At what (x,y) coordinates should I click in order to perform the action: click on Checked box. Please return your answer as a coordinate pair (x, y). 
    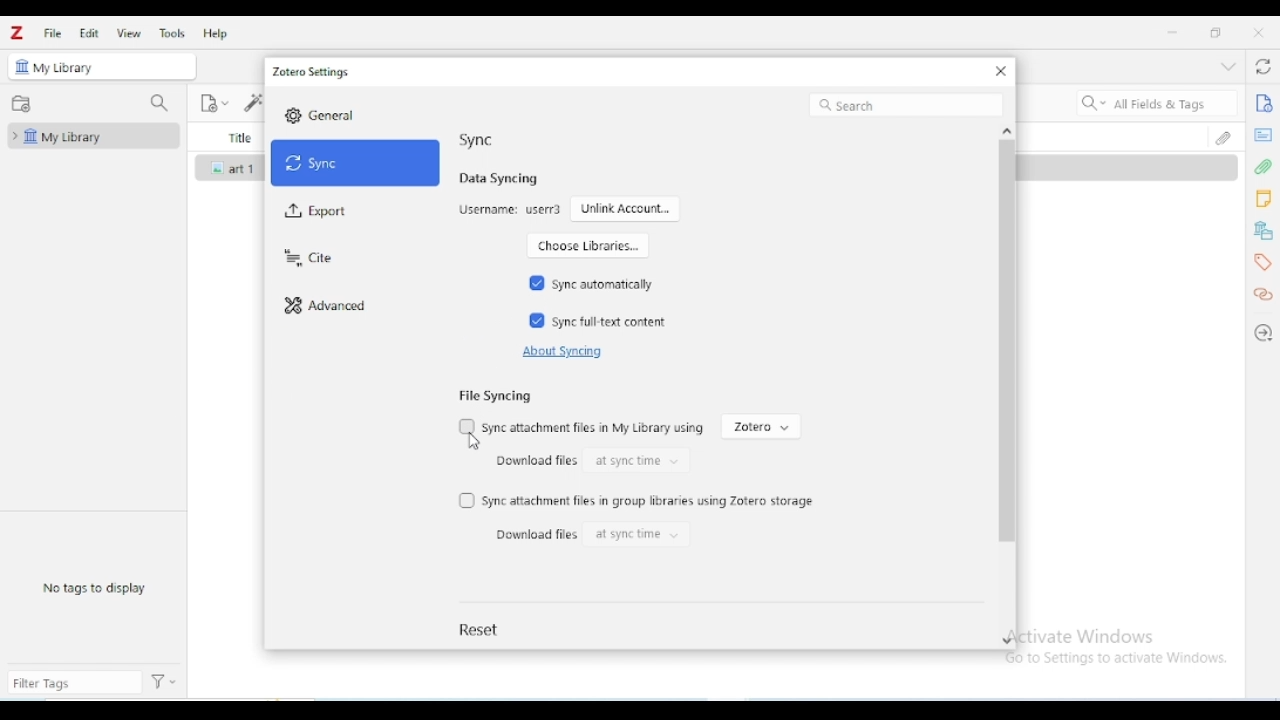
    Looking at the image, I should click on (538, 282).